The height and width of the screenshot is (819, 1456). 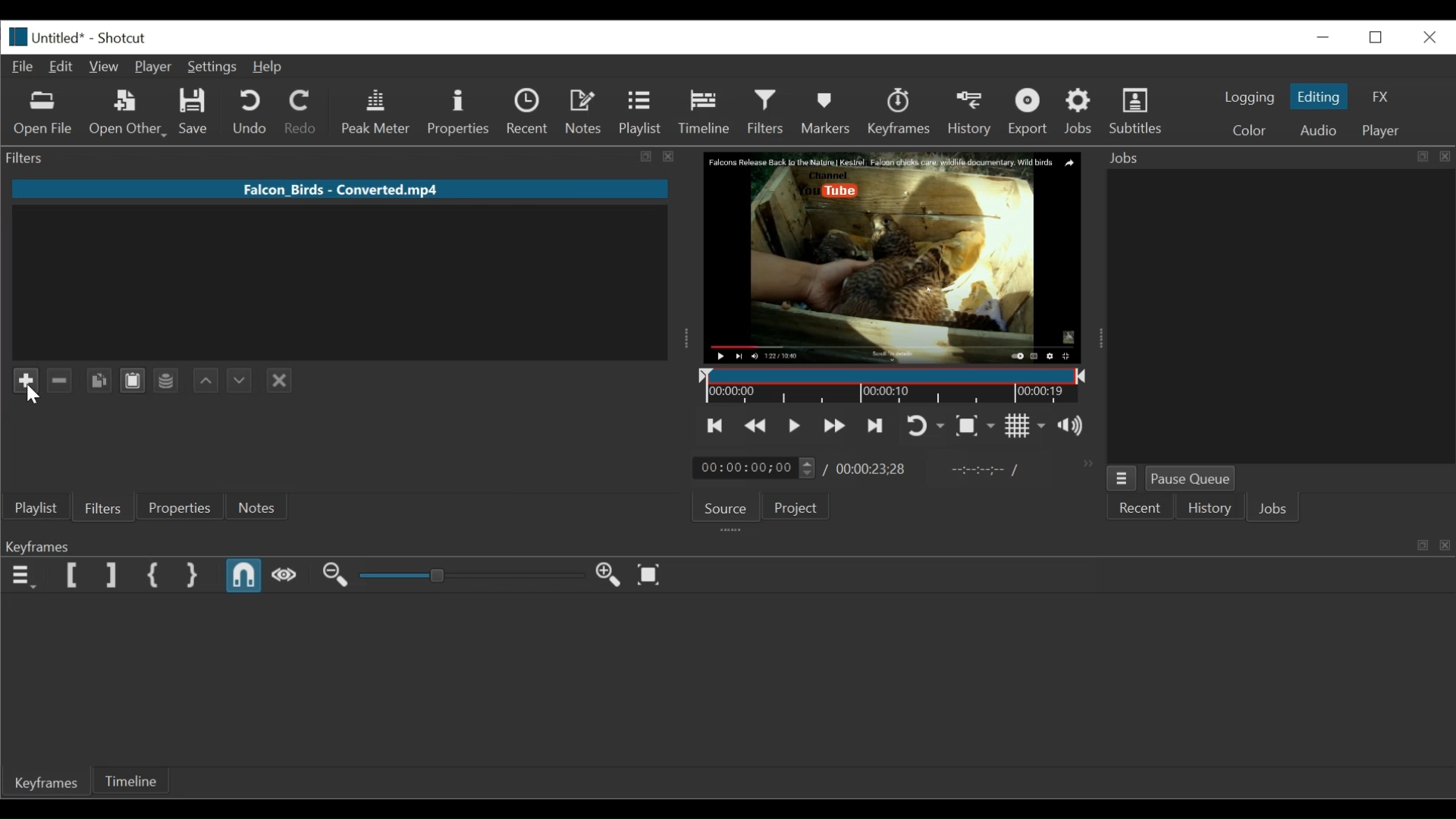 What do you see at coordinates (124, 38) in the screenshot?
I see `Shotcut` at bounding box center [124, 38].